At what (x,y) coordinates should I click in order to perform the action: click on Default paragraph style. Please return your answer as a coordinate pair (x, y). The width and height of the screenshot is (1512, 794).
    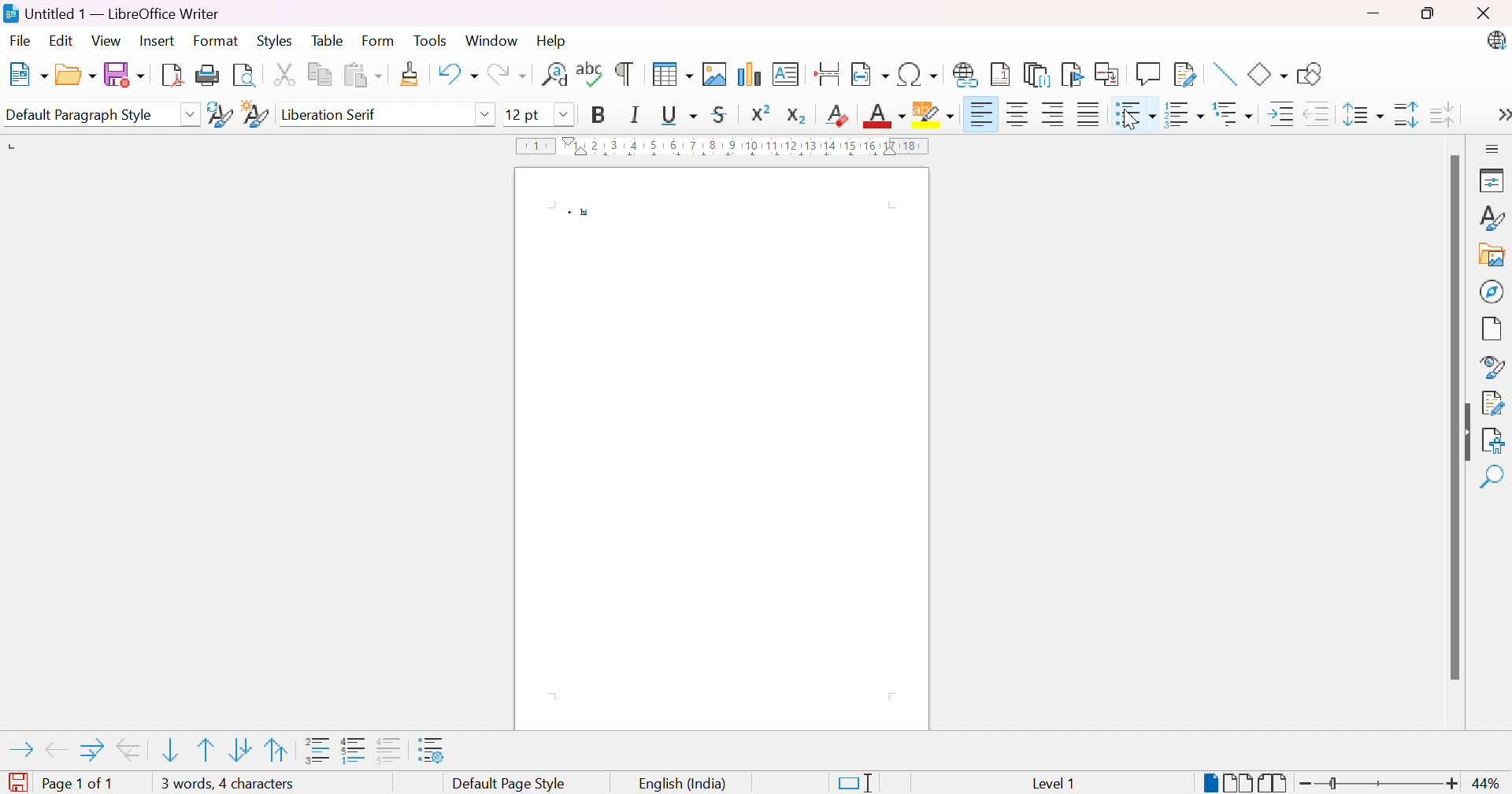
    Looking at the image, I should click on (83, 117).